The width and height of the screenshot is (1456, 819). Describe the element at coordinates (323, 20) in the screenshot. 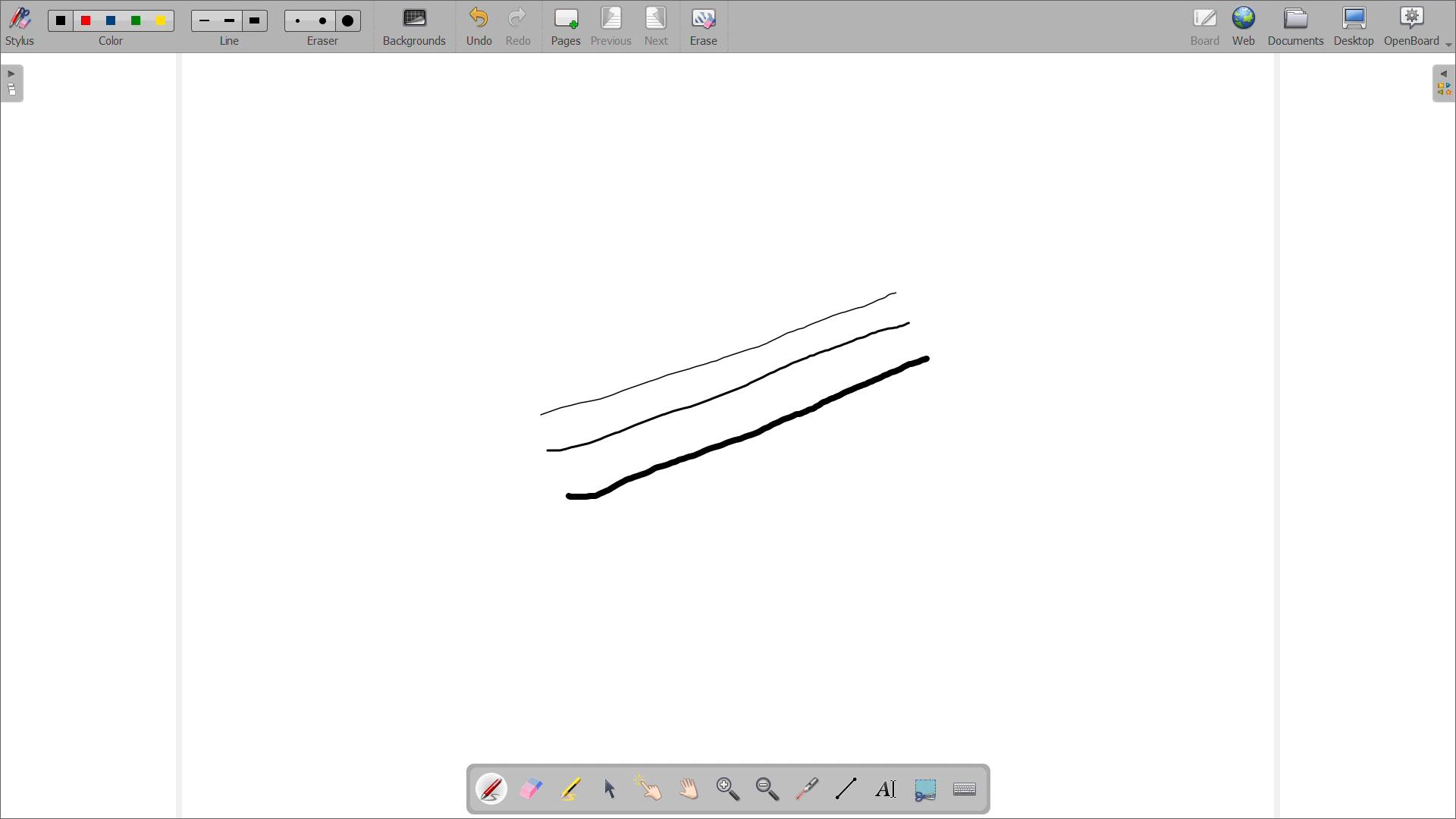

I see `Eraser size` at that location.